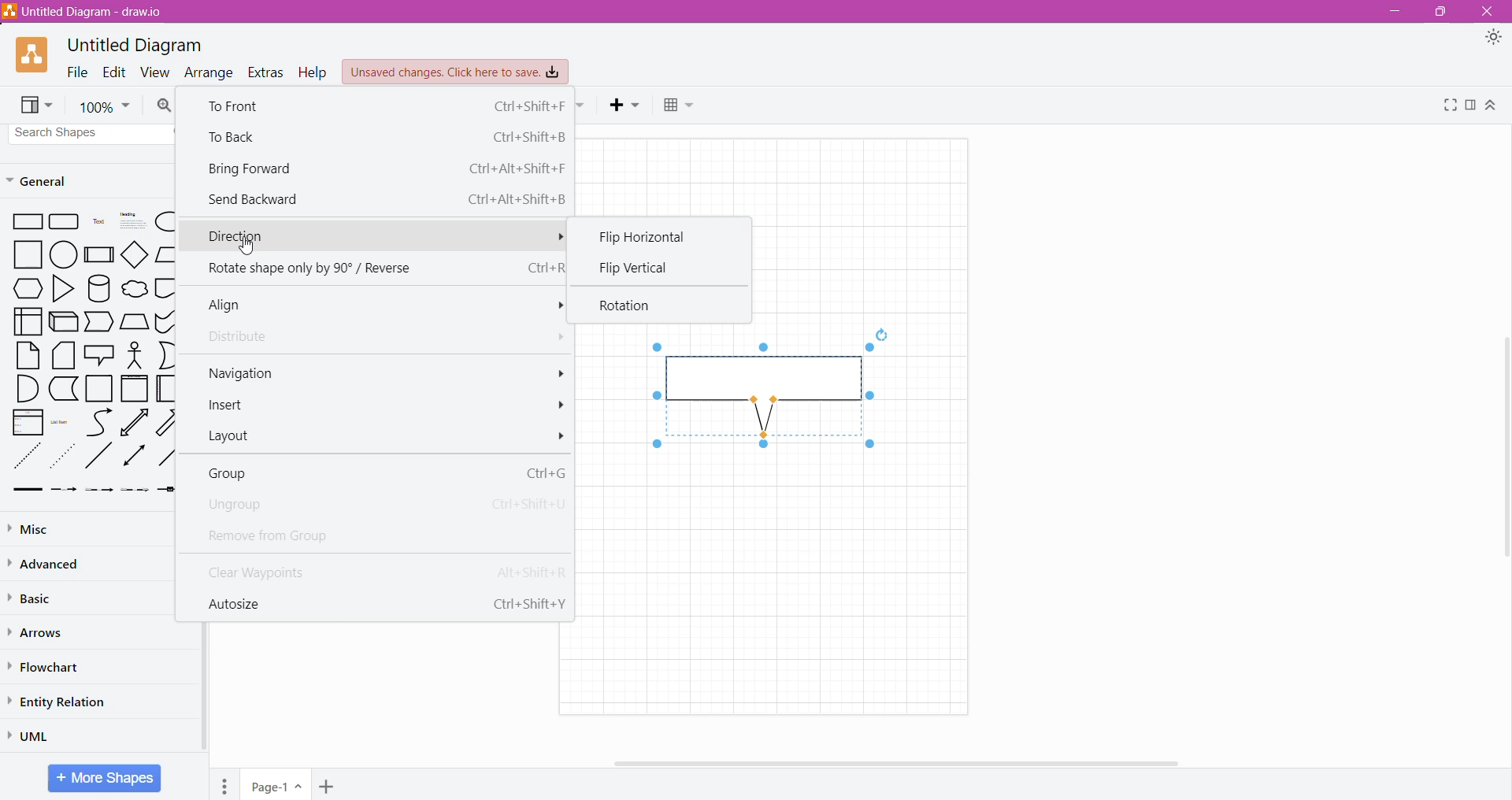  Describe the element at coordinates (104, 105) in the screenshot. I see `Zoom` at that location.